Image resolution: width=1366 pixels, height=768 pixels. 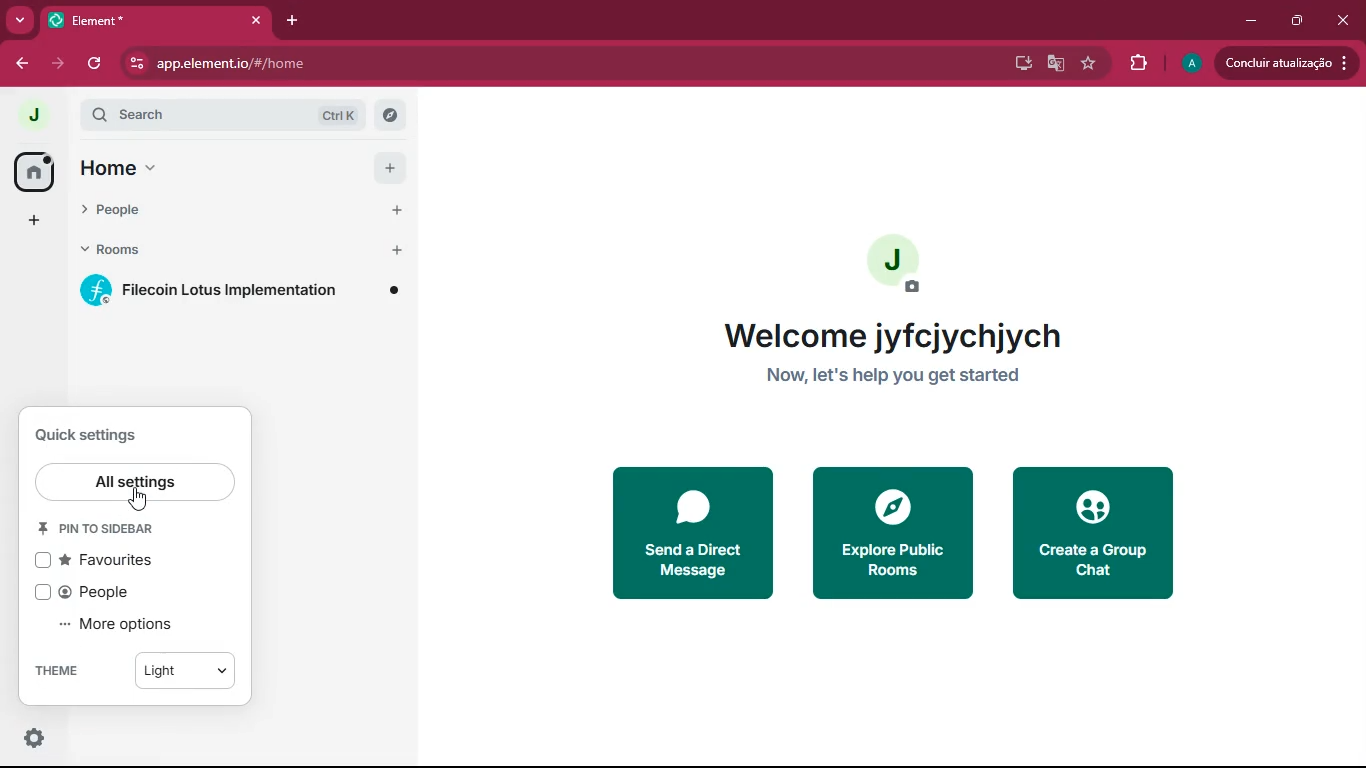 What do you see at coordinates (131, 249) in the screenshot?
I see `rooms` at bounding box center [131, 249].